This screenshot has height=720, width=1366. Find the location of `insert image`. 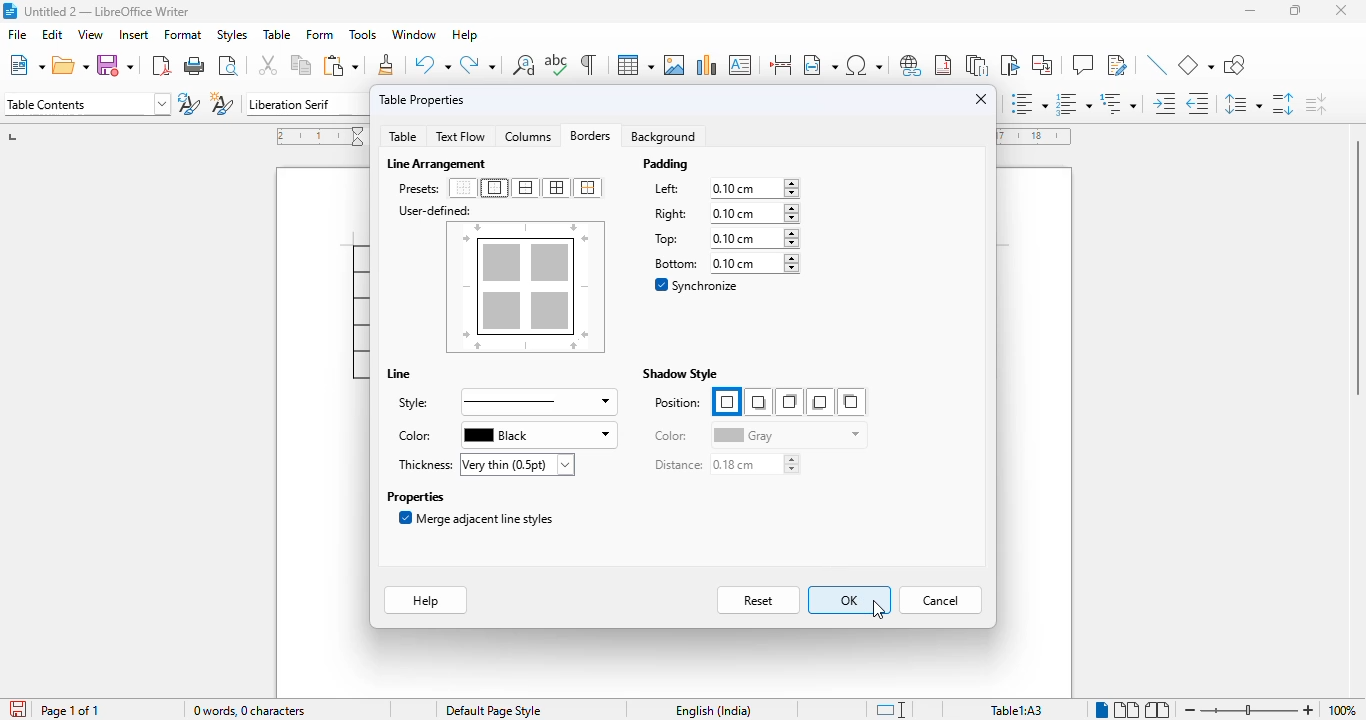

insert image is located at coordinates (674, 64).